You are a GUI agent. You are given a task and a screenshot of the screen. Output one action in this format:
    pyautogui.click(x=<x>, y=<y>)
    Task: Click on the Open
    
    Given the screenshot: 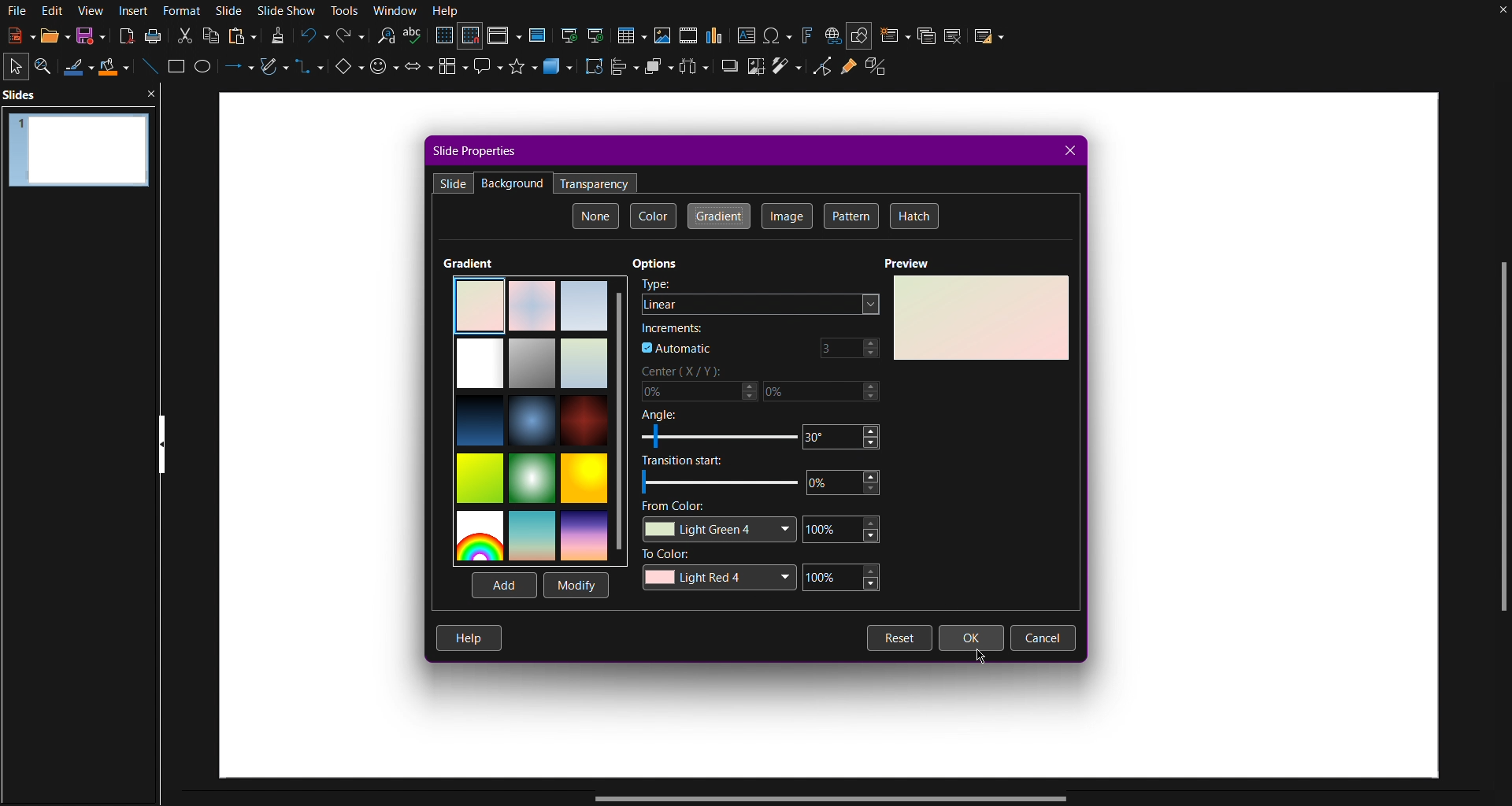 What is the action you would take?
    pyautogui.click(x=49, y=36)
    